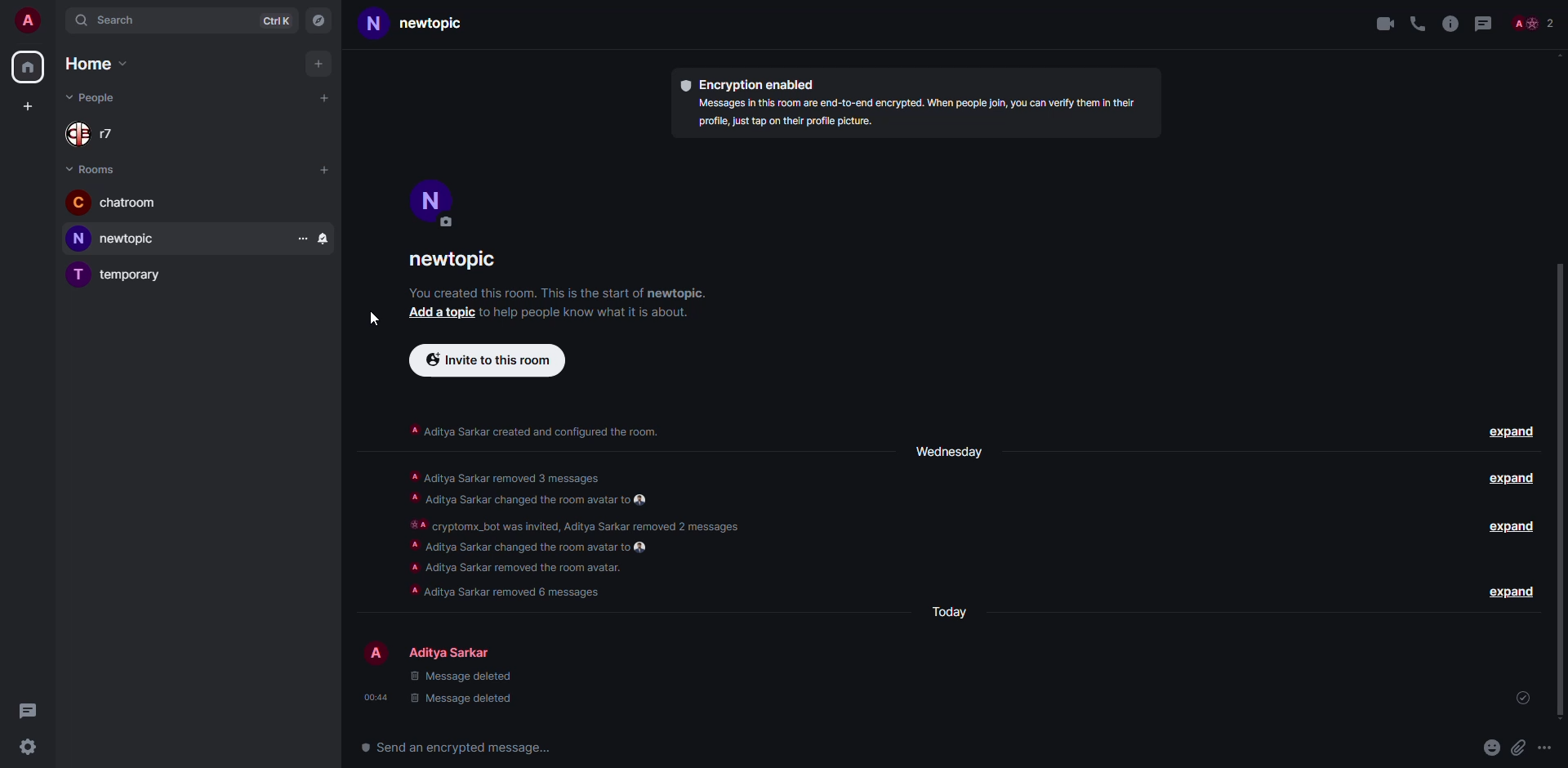 This screenshot has height=768, width=1568. I want to click on more, so click(1544, 748).